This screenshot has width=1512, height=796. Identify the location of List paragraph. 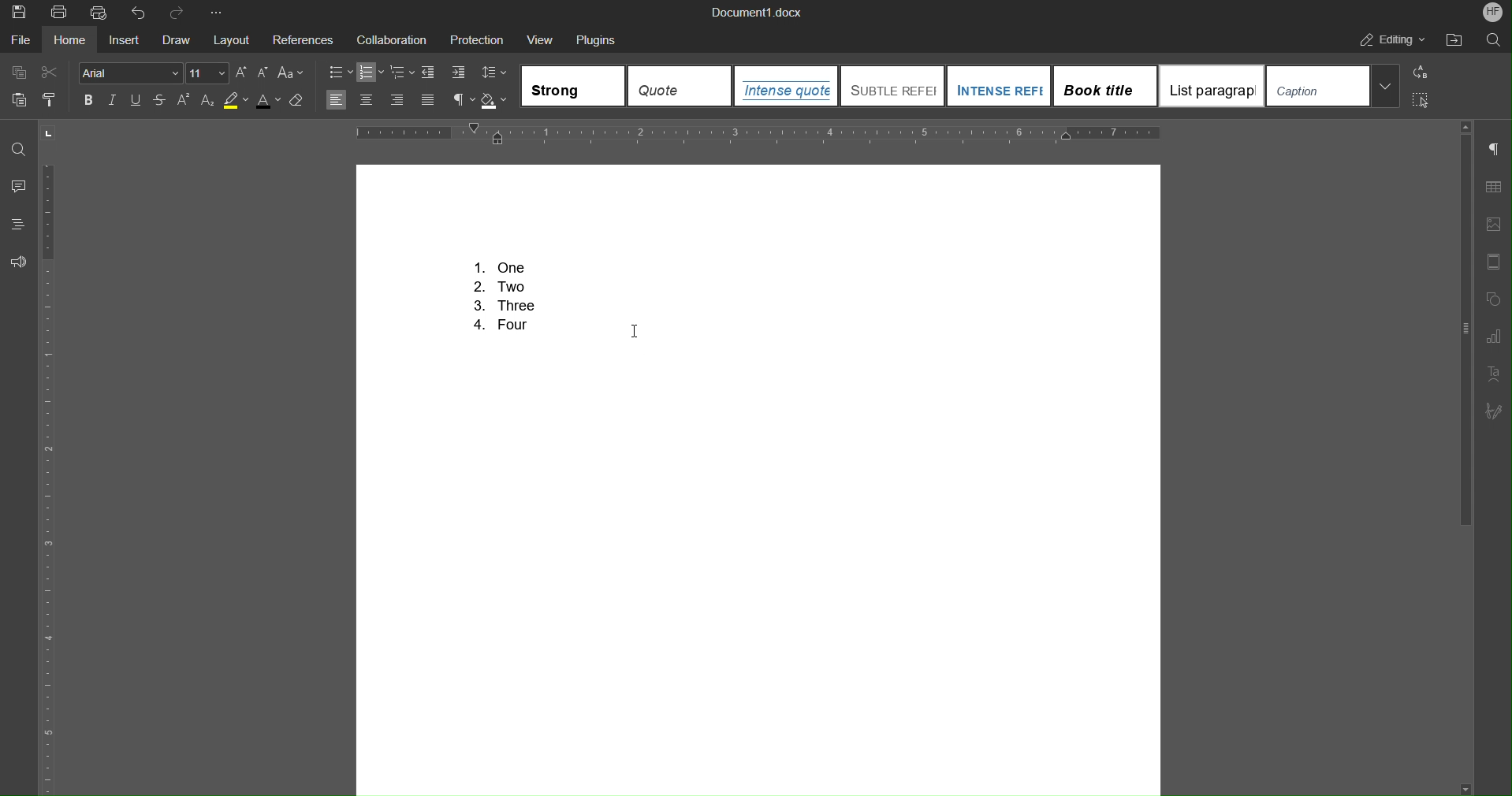
(1211, 85).